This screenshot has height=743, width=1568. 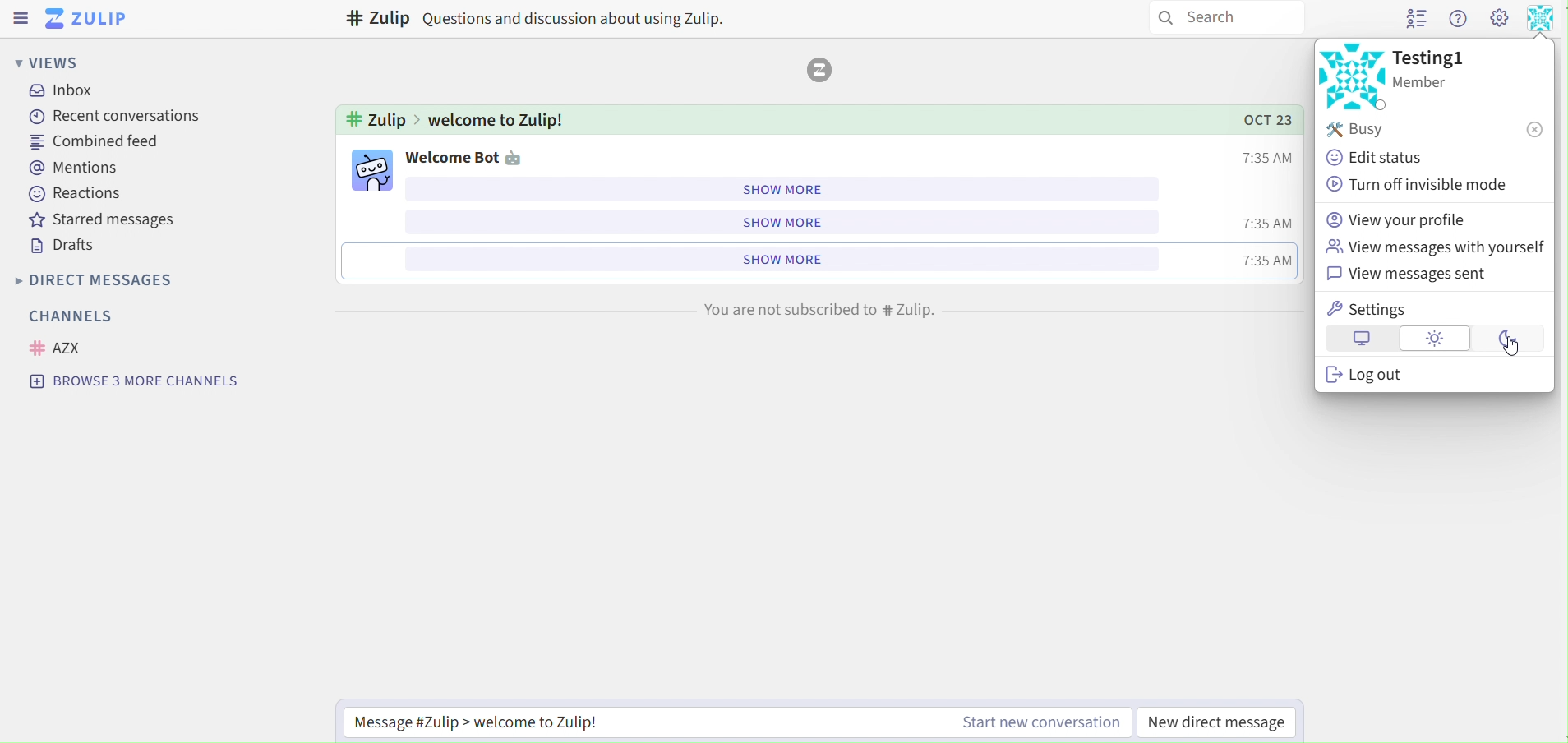 What do you see at coordinates (1459, 21) in the screenshot?
I see `get help` at bounding box center [1459, 21].